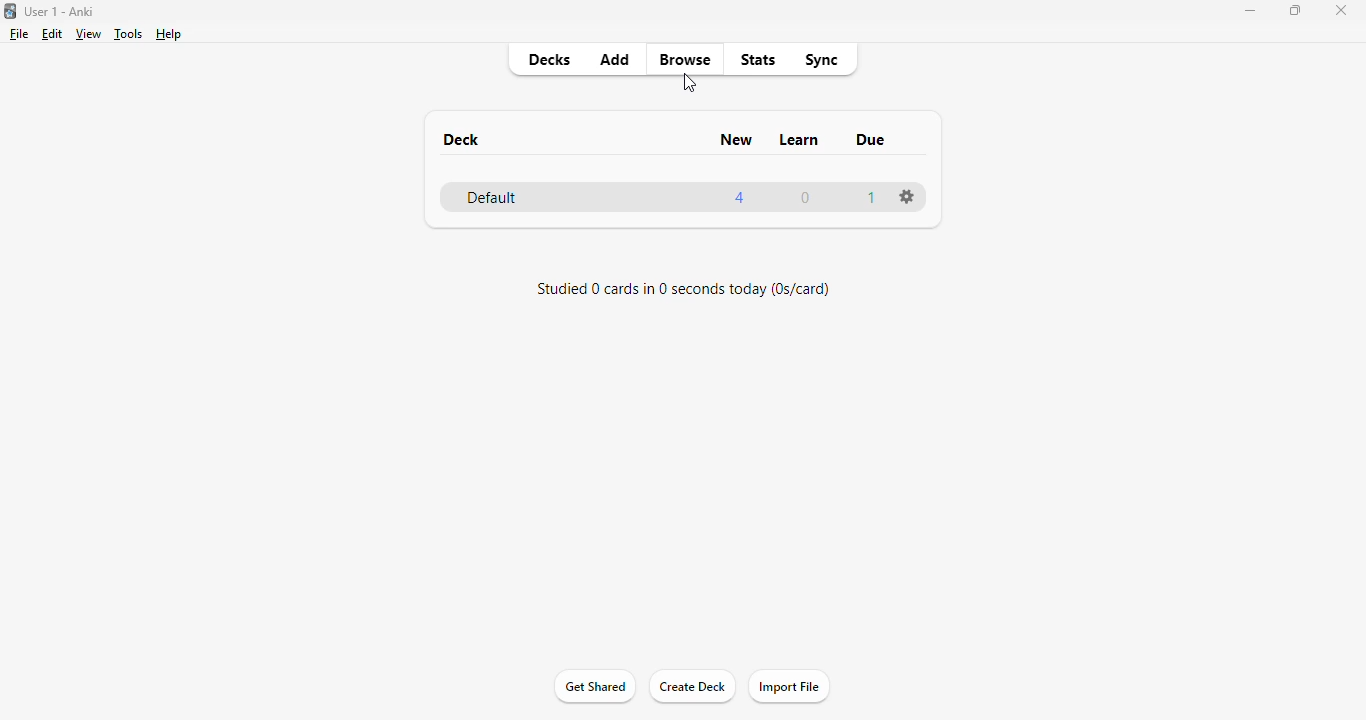 The width and height of the screenshot is (1366, 720). What do you see at coordinates (806, 197) in the screenshot?
I see `0` at bounding box center [806, 197].